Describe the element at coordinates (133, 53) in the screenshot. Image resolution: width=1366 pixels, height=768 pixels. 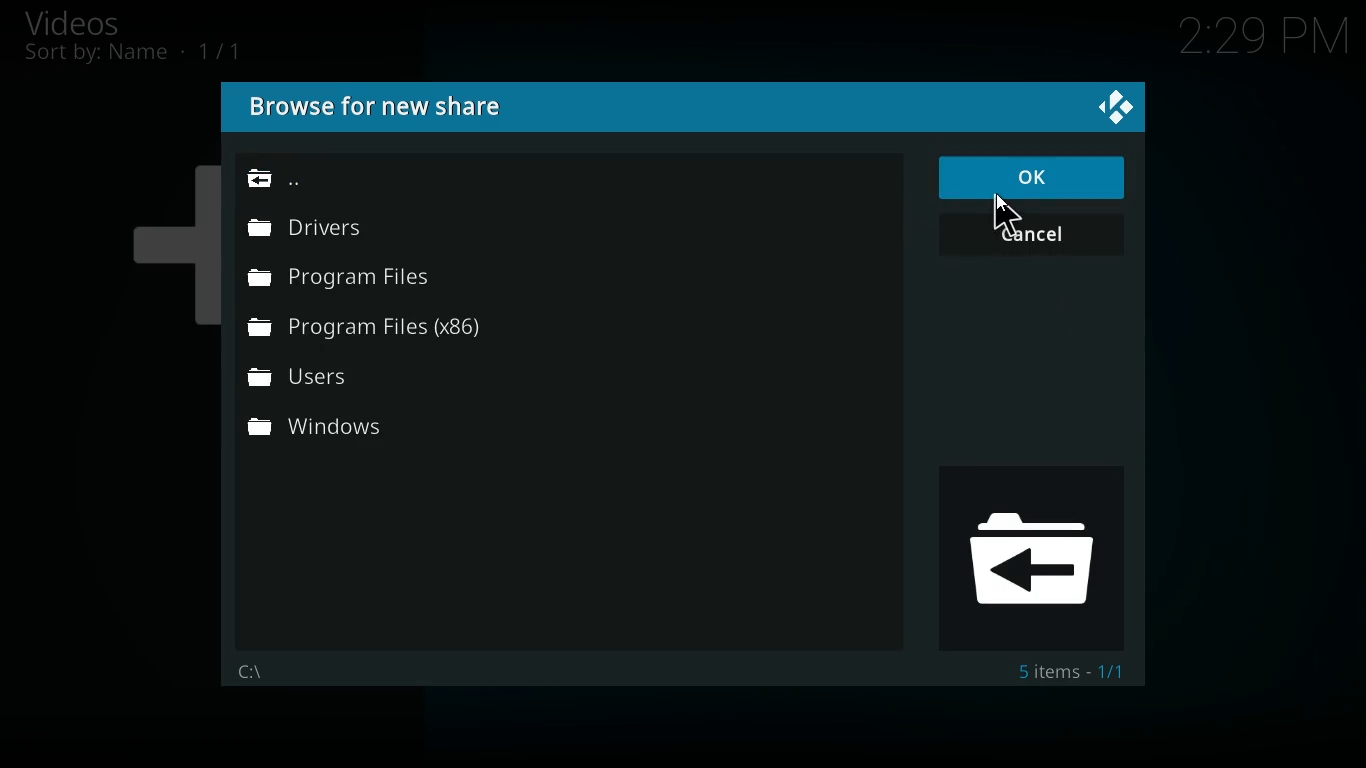
I see `sort by name 1/1` at that location.